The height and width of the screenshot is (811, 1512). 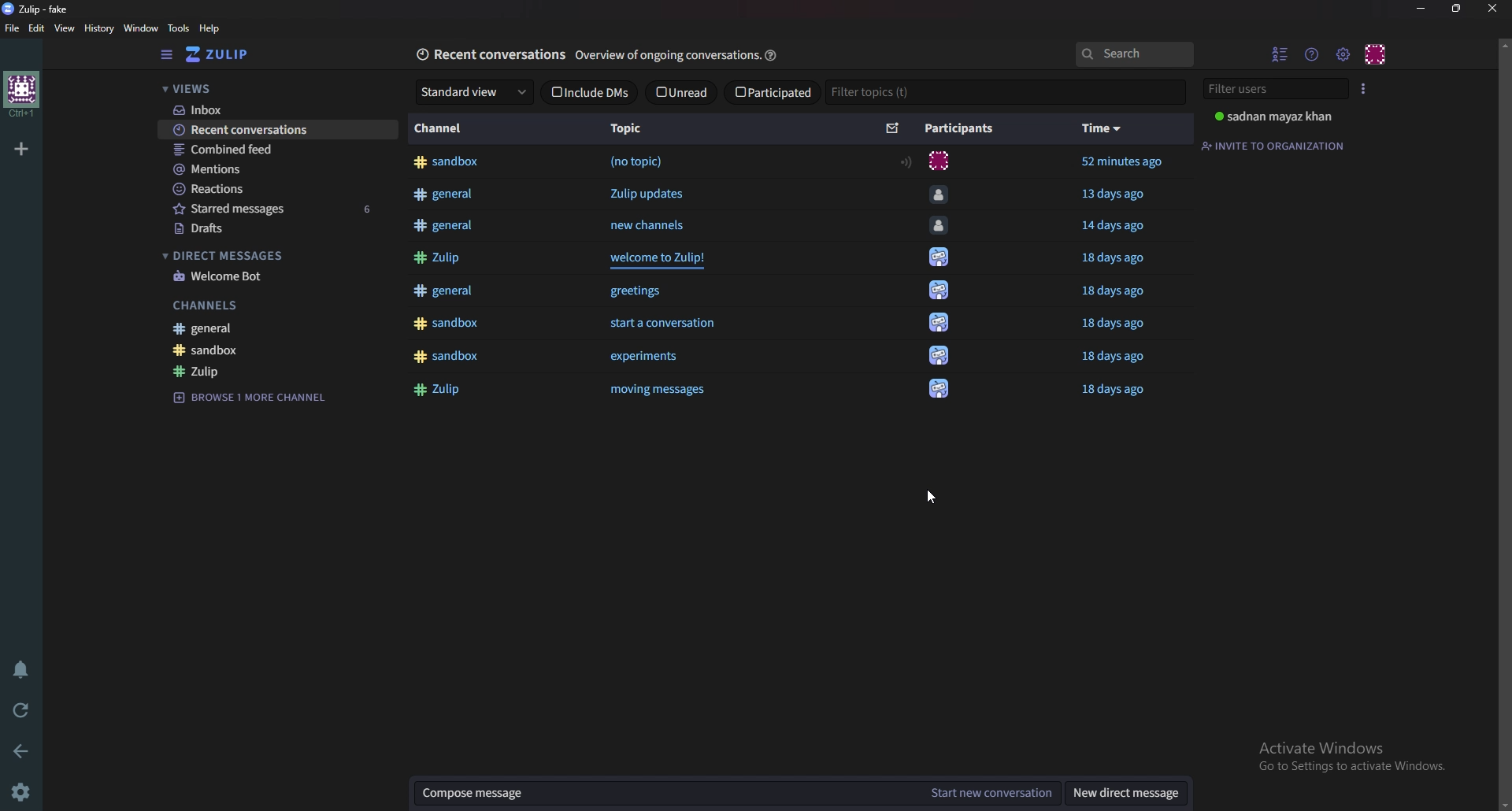 I want to click on Direct messages, so click(x=262, y=254).